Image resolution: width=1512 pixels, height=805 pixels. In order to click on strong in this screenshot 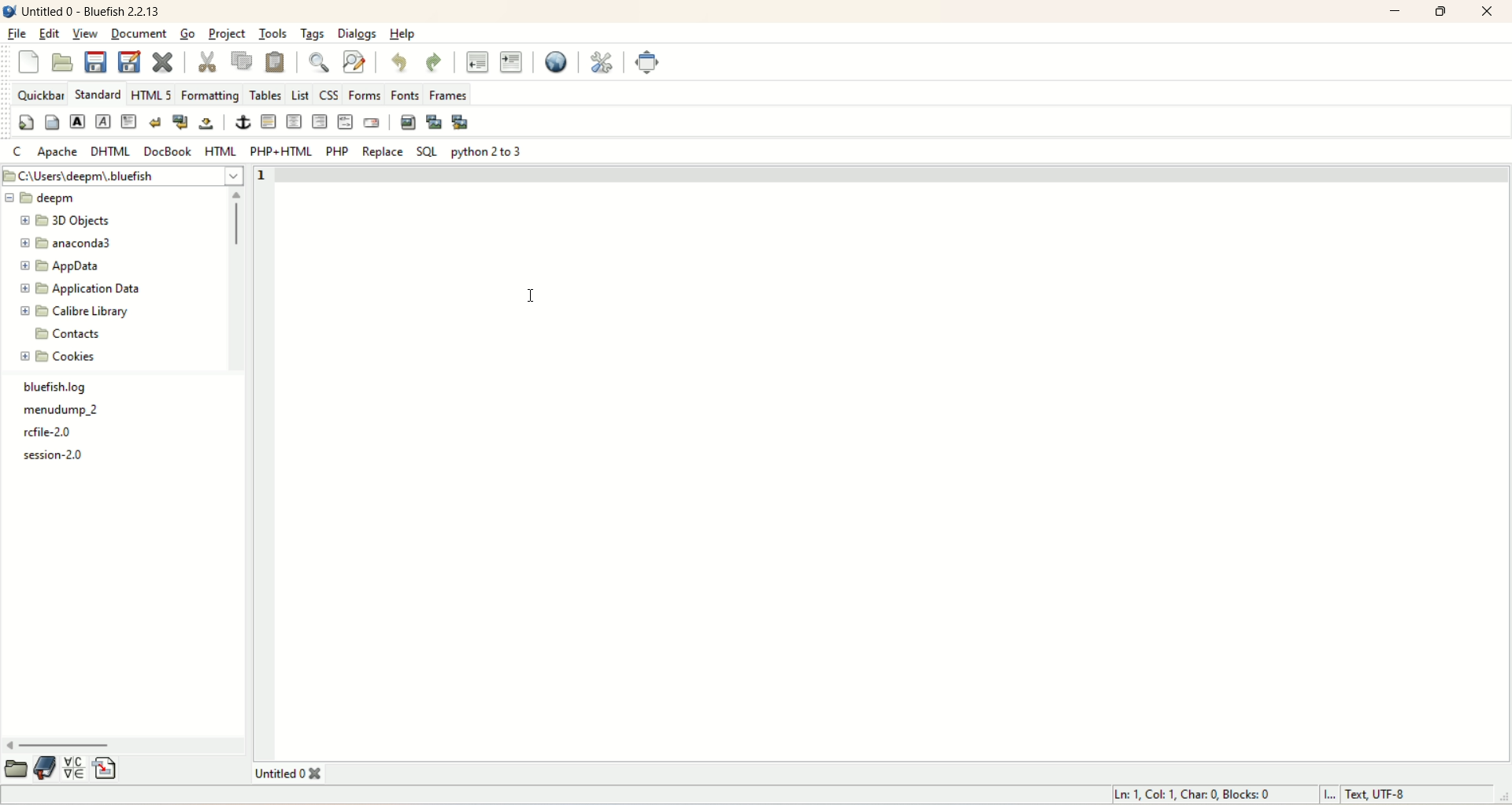, I will do `click(78, 121)`.